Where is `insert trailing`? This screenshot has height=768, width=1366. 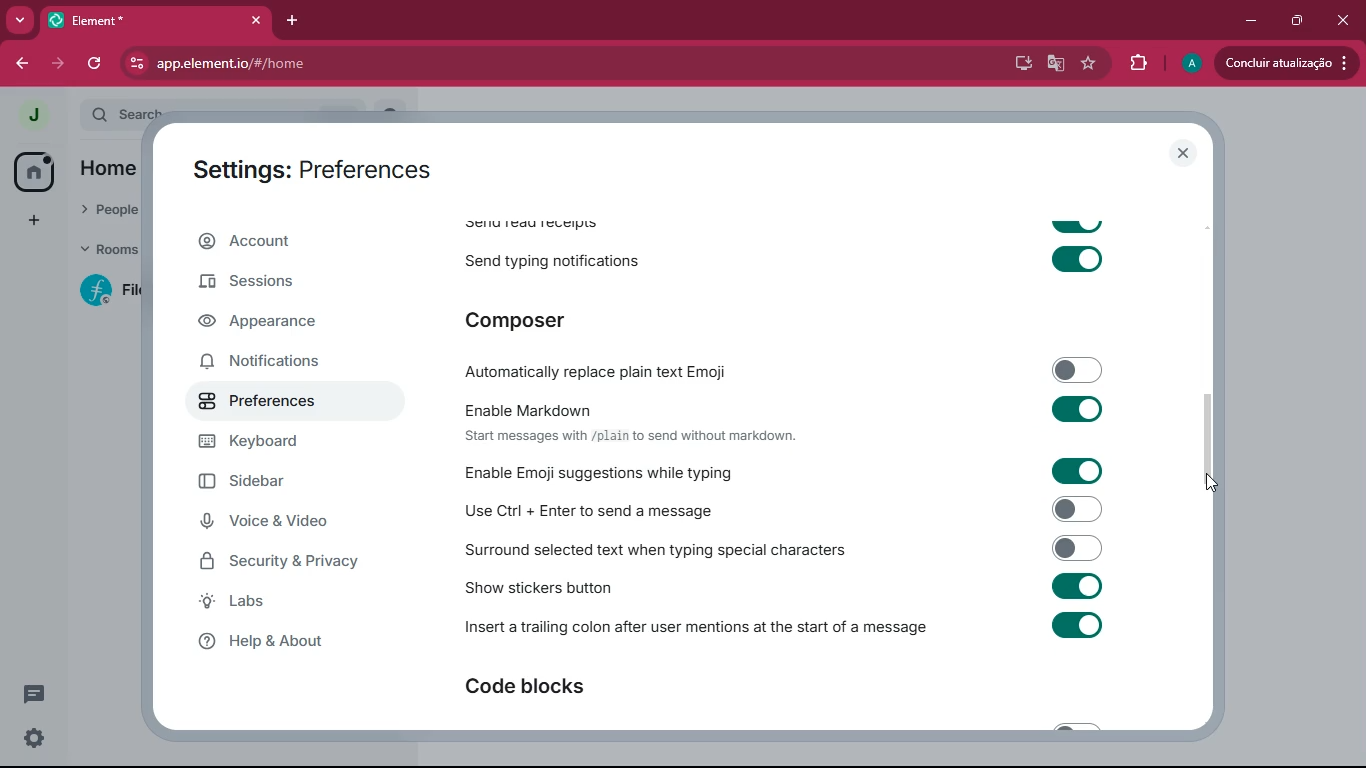
insert trailing is located at coordinates (787, 628).